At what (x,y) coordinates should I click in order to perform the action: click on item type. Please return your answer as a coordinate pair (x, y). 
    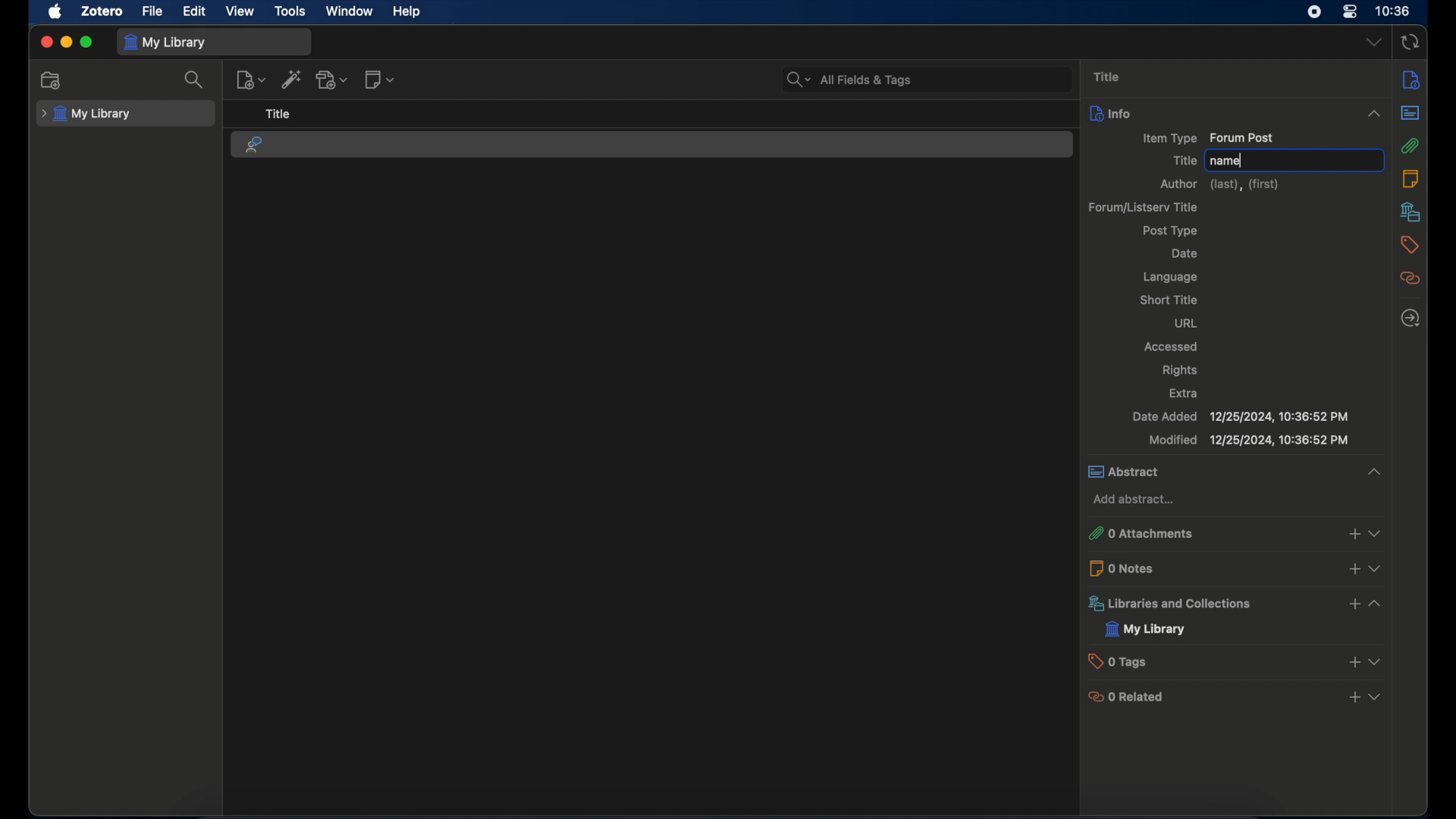
    Looking at the image, I should click on (1210, 139).